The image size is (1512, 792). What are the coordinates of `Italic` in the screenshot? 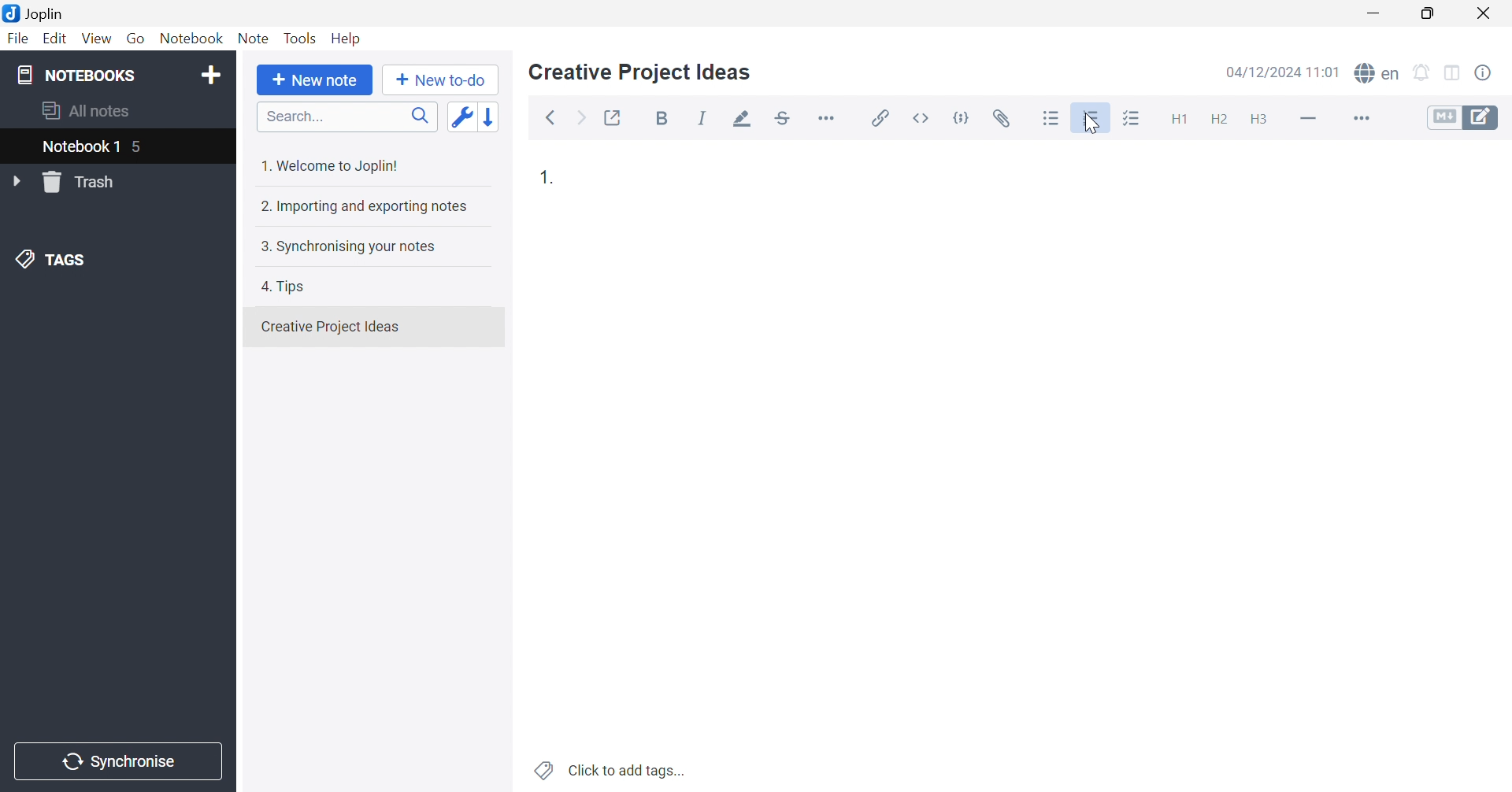 It's located at (705, 120).